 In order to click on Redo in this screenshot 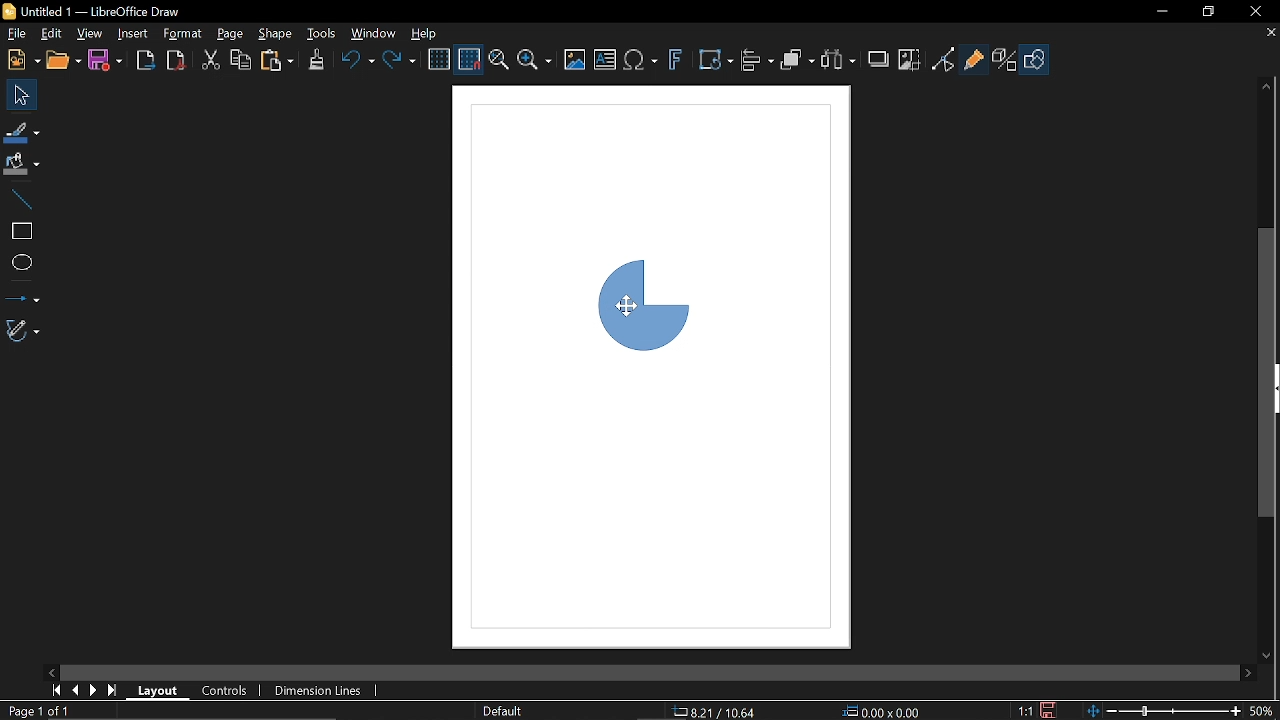, I will do `click(400, 62)`.